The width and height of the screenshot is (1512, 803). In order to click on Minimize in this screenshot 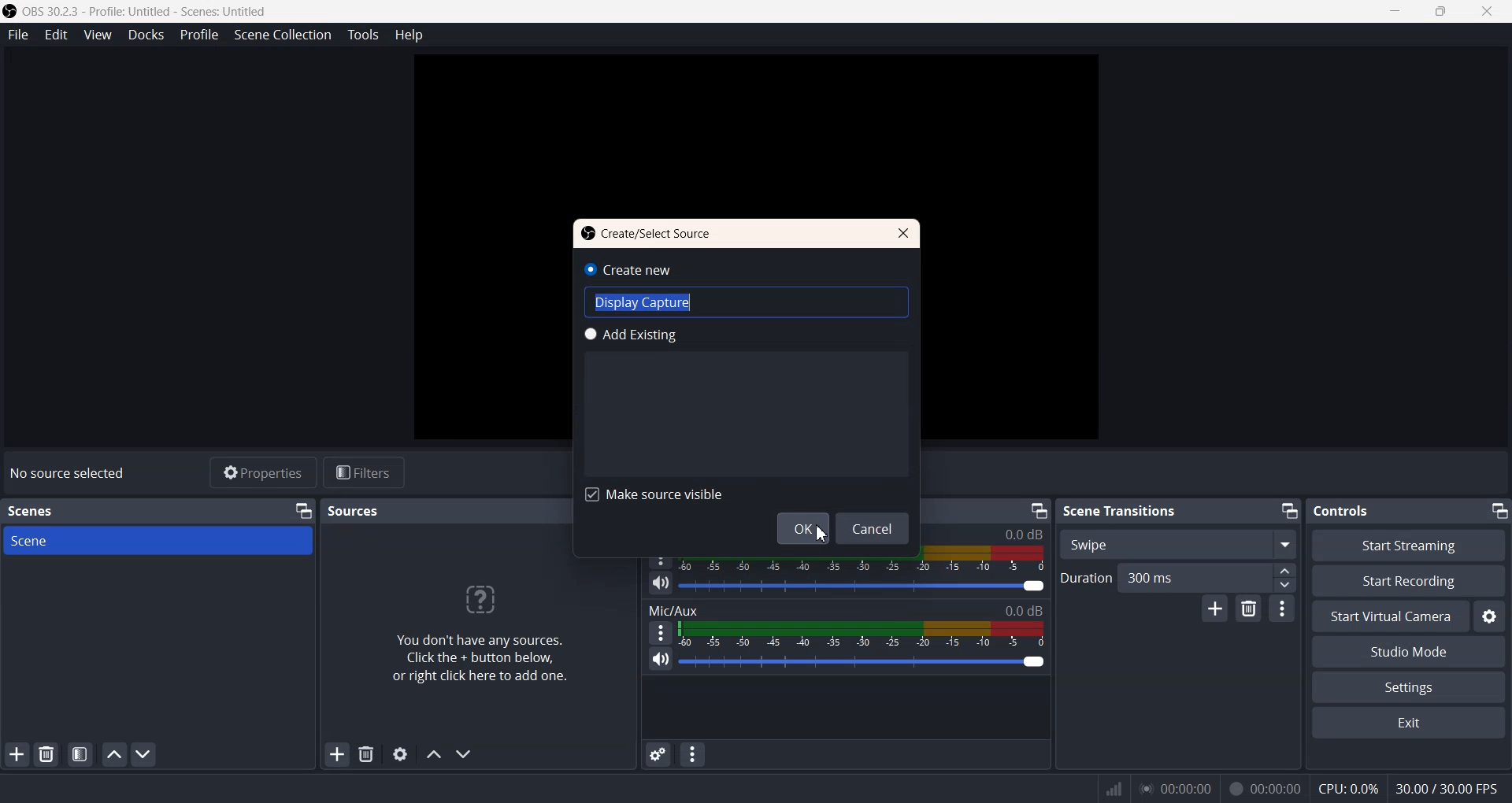, I will do `click(1040, 511)`.